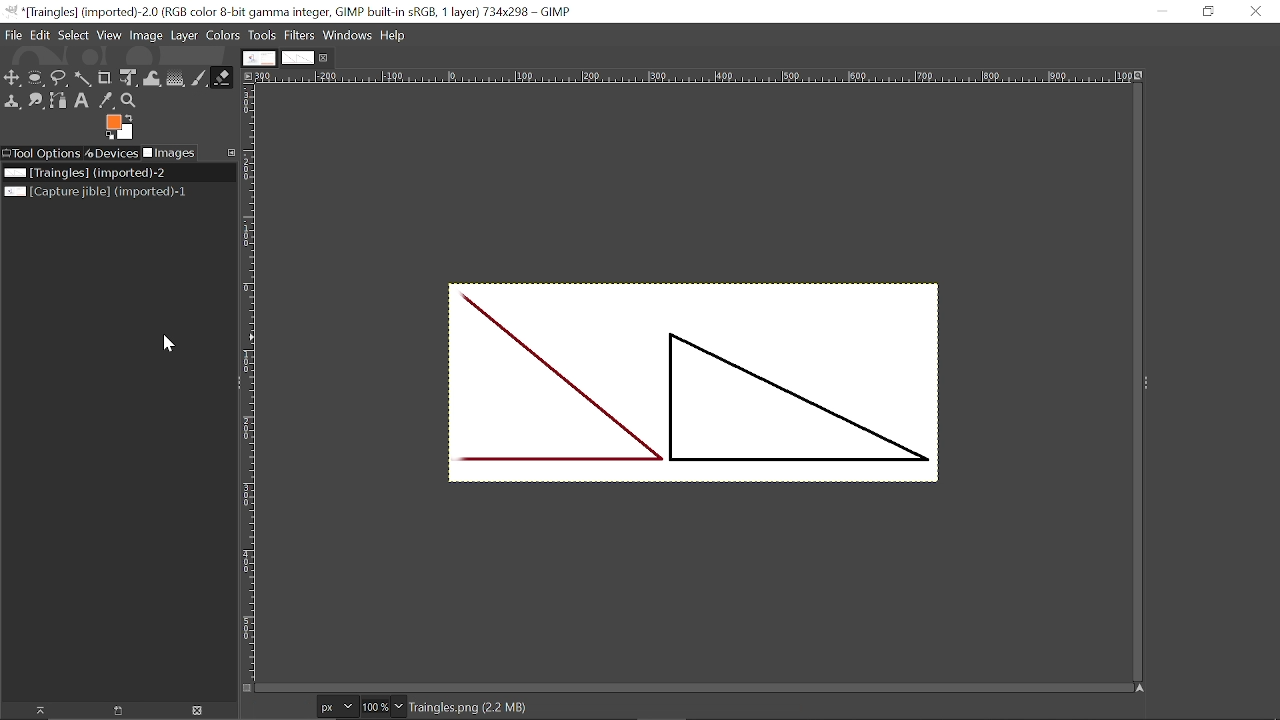  Describe the element at coordinates (72, 35) in the screenshot. I see `Select` at that location.